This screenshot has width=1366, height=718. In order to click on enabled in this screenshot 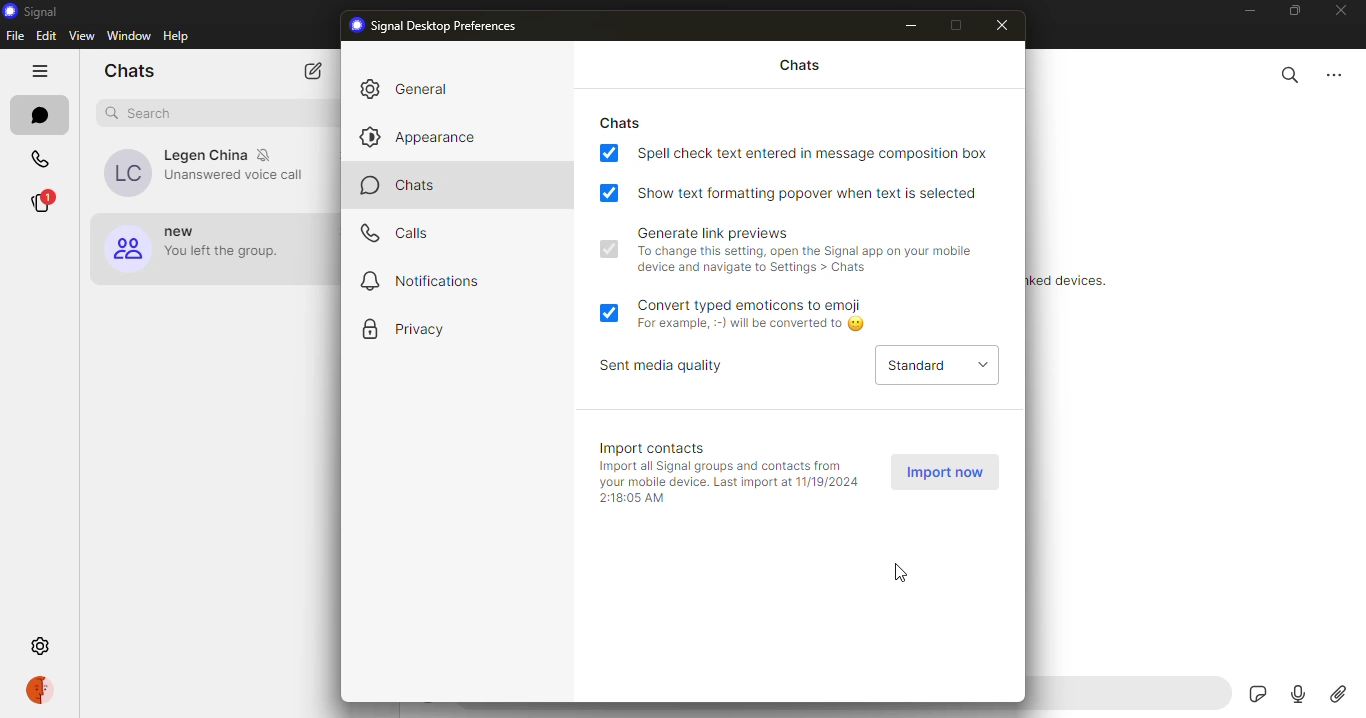, I will do `click(608, 194)`.